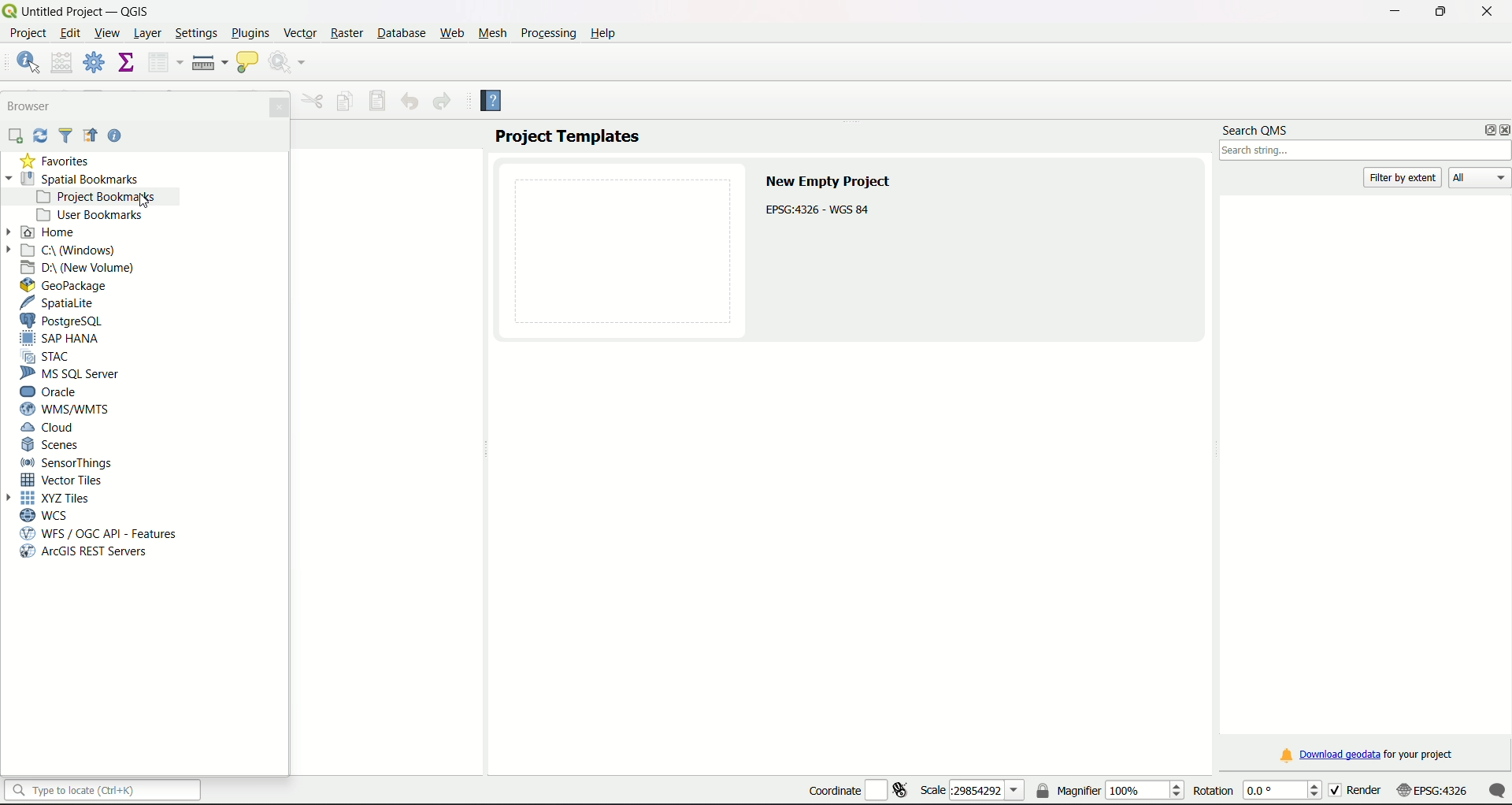  What do you see at coordinates (11, 232) in the screenshot?
I see `Arrow` at bounding box center [11, 232].